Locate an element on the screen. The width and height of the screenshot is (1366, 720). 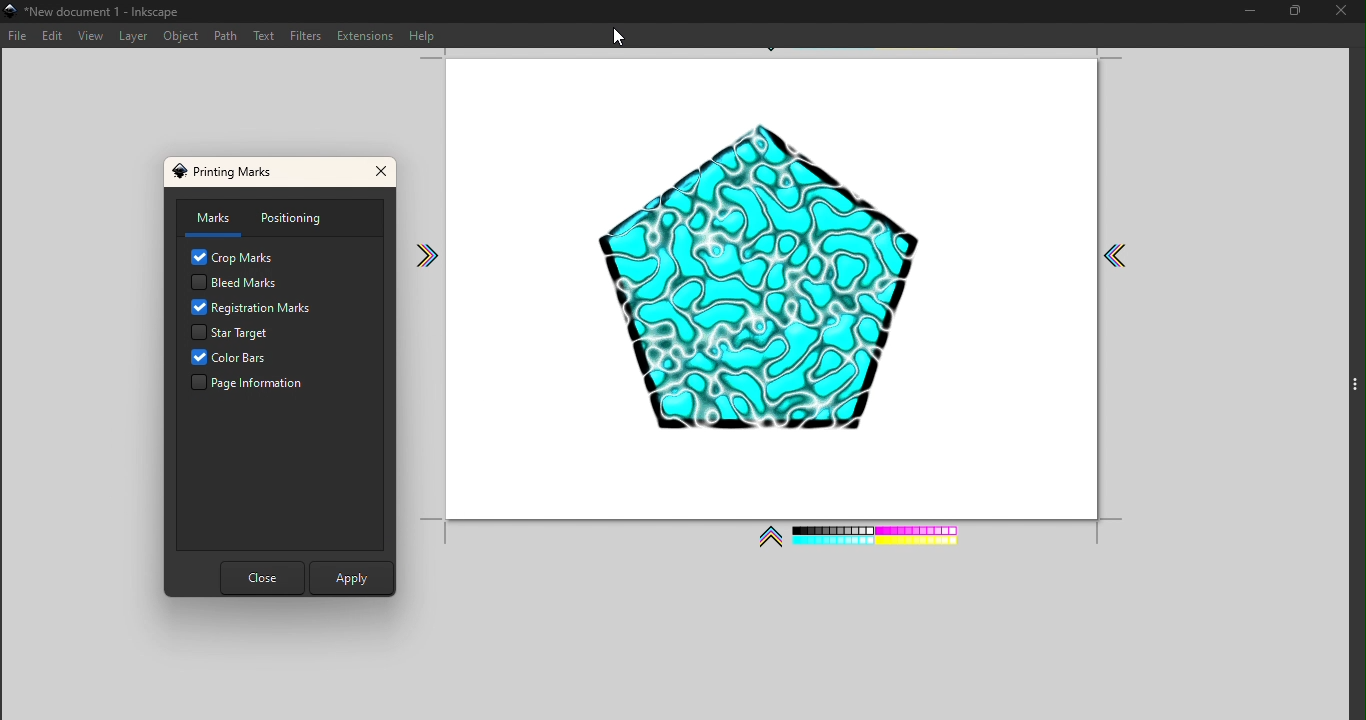
File is located at coordinates (18, 35).